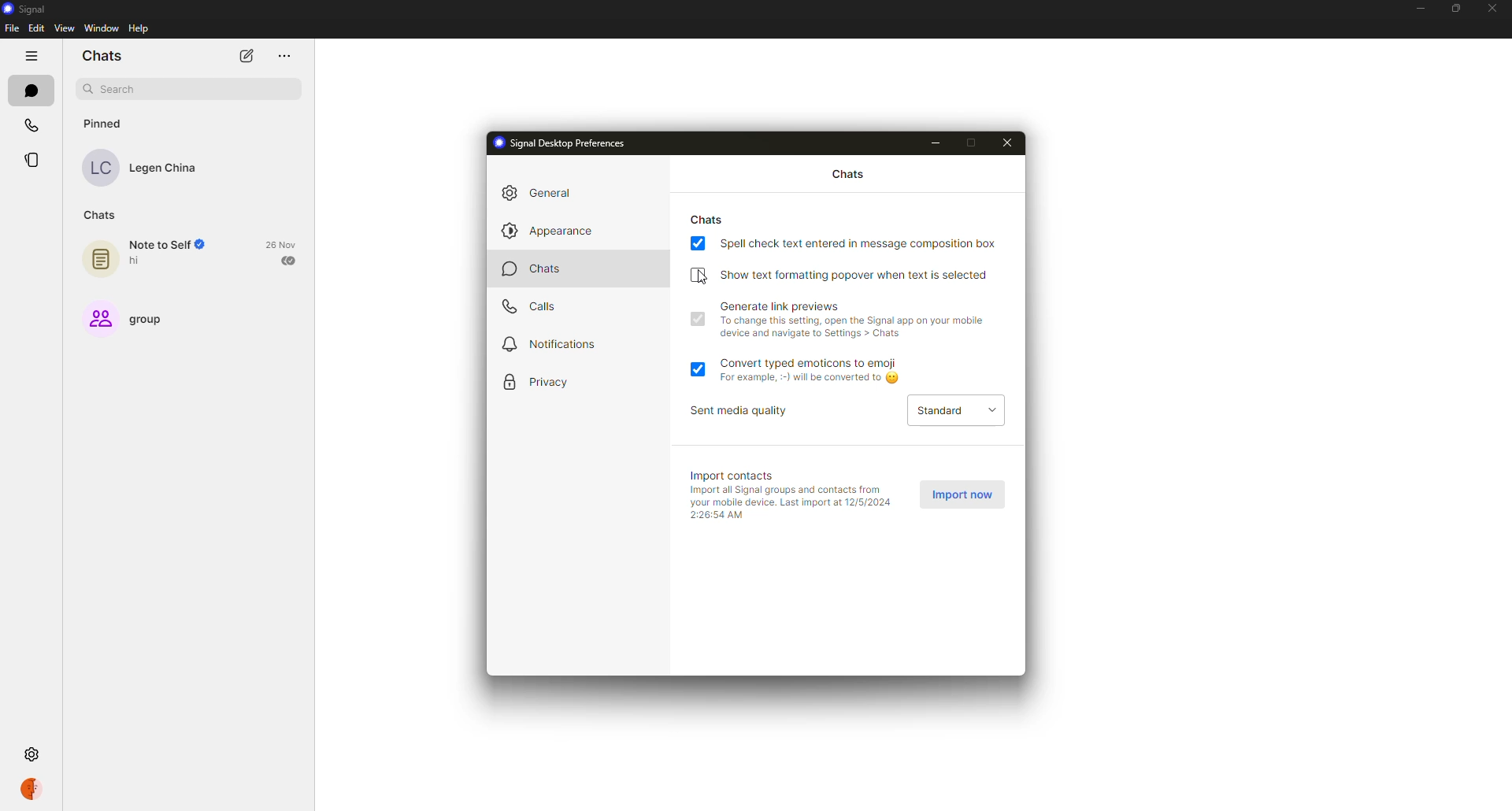 The height and width of the screenshot is (811, 1512). Describe the element at coordinates (245, 54) in the screenshot. I see `new chat` at that location.